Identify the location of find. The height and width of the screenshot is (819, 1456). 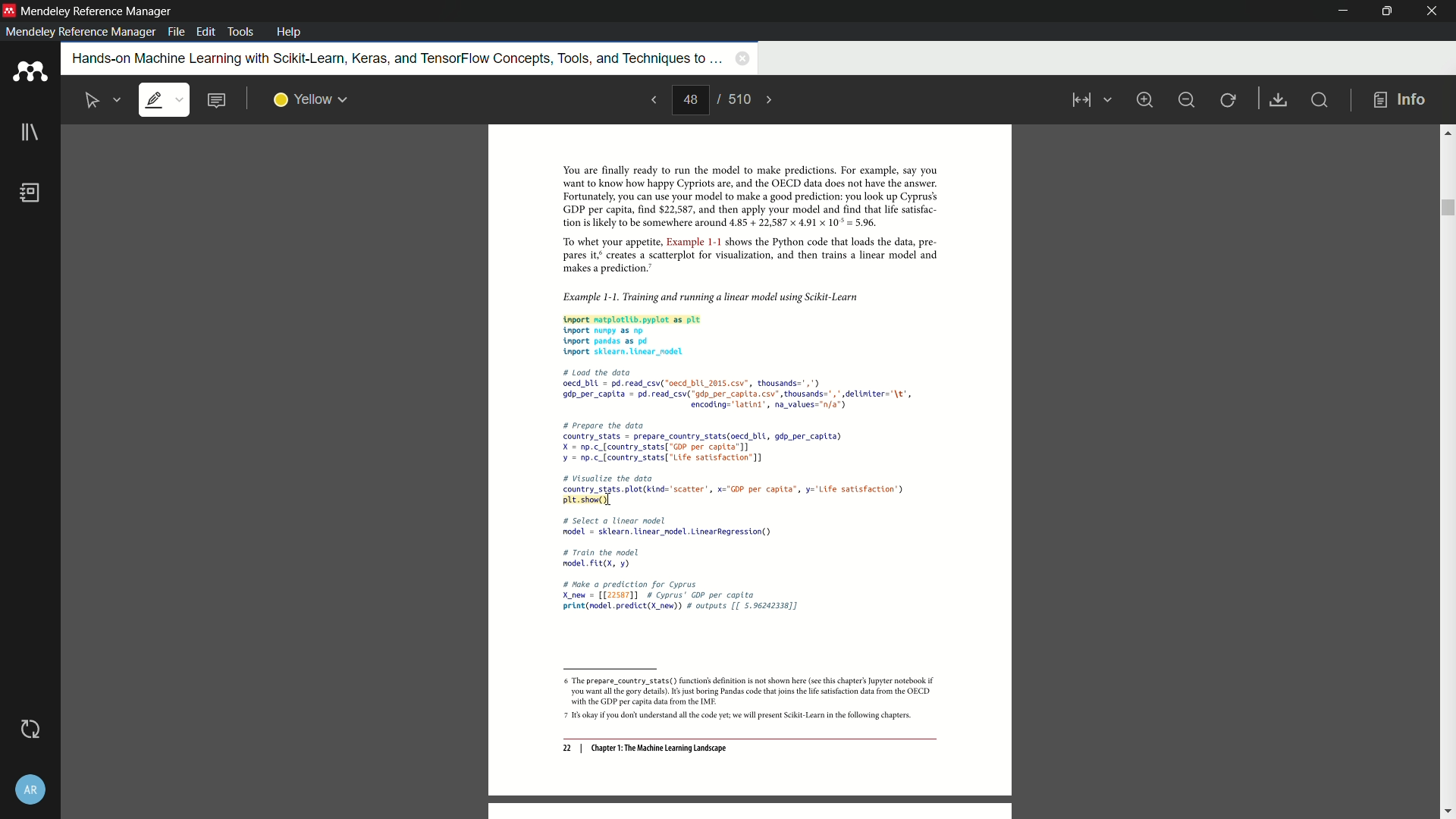
(1318, 99).